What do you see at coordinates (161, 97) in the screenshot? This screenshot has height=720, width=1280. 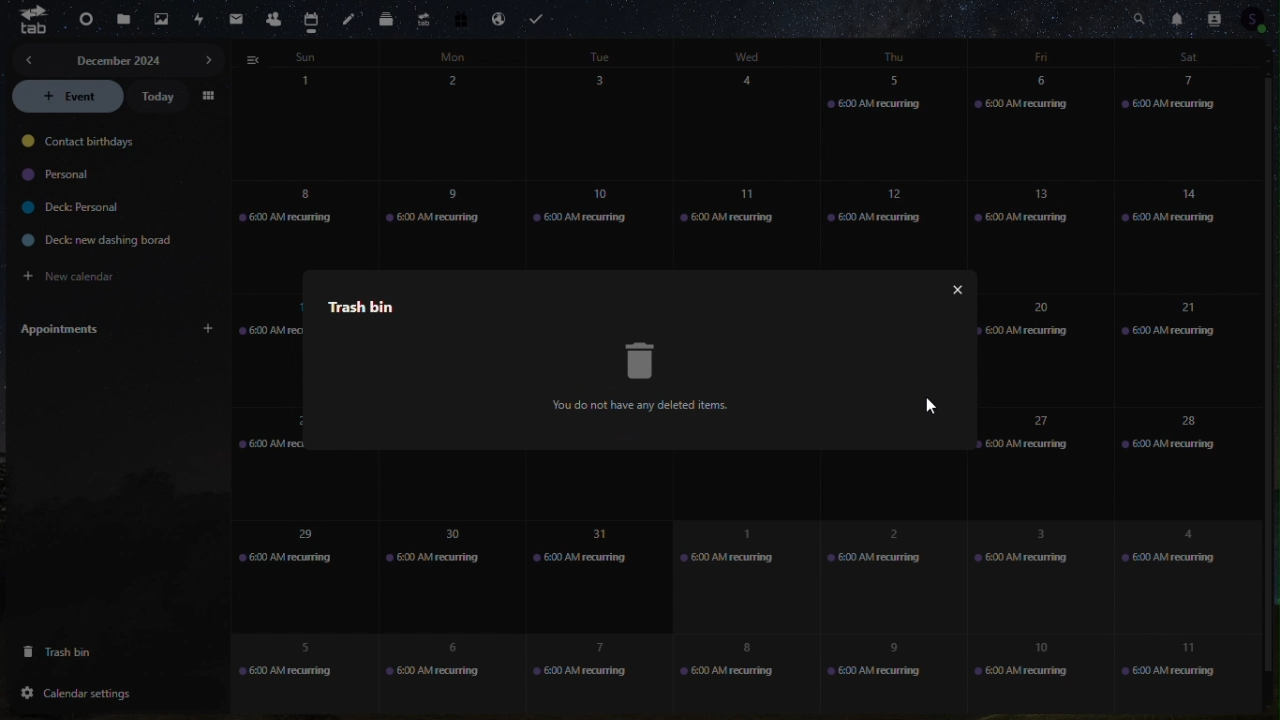 I see `today` at bounding box center [161, 97].